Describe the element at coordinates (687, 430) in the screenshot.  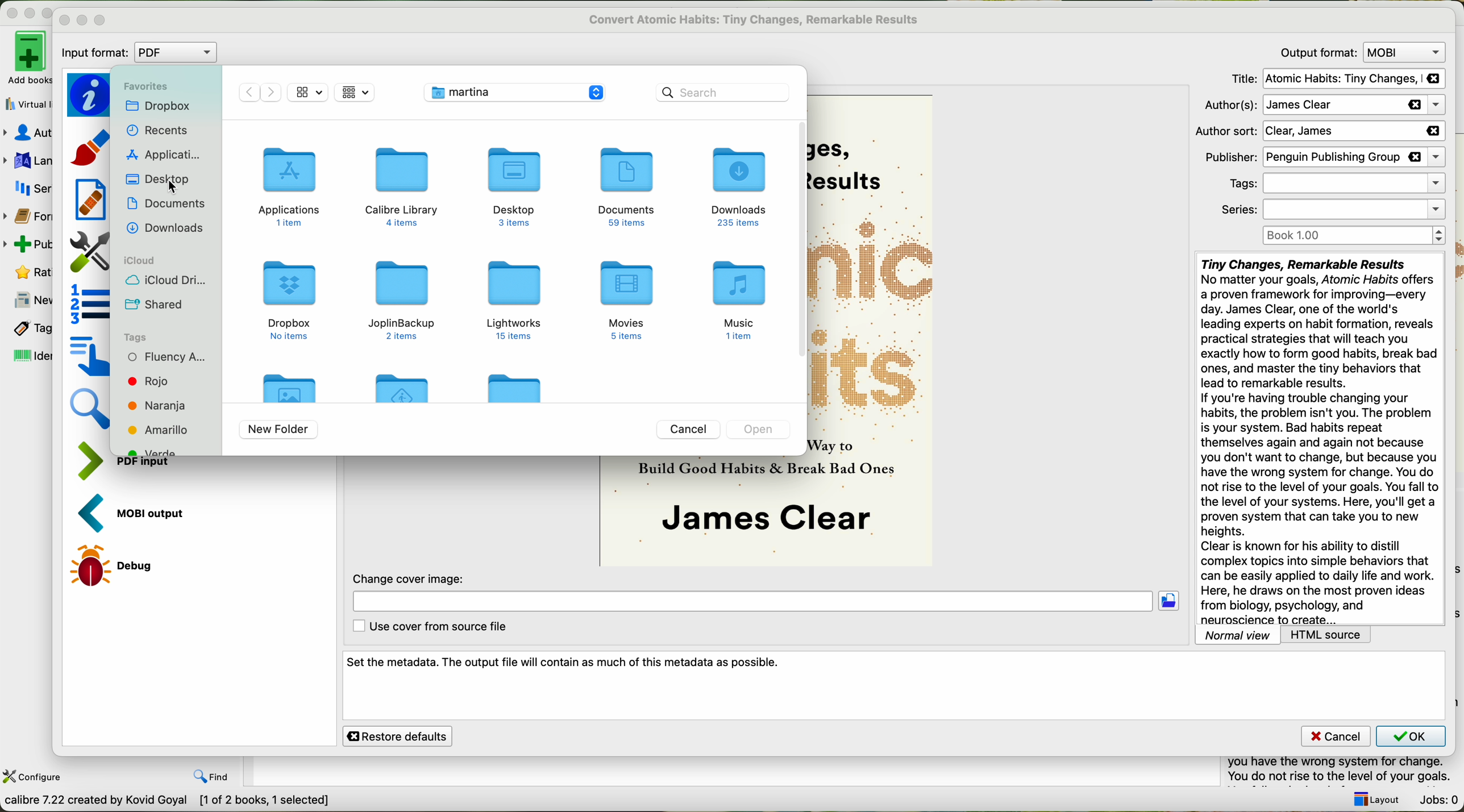
I see `cancel` at that location.